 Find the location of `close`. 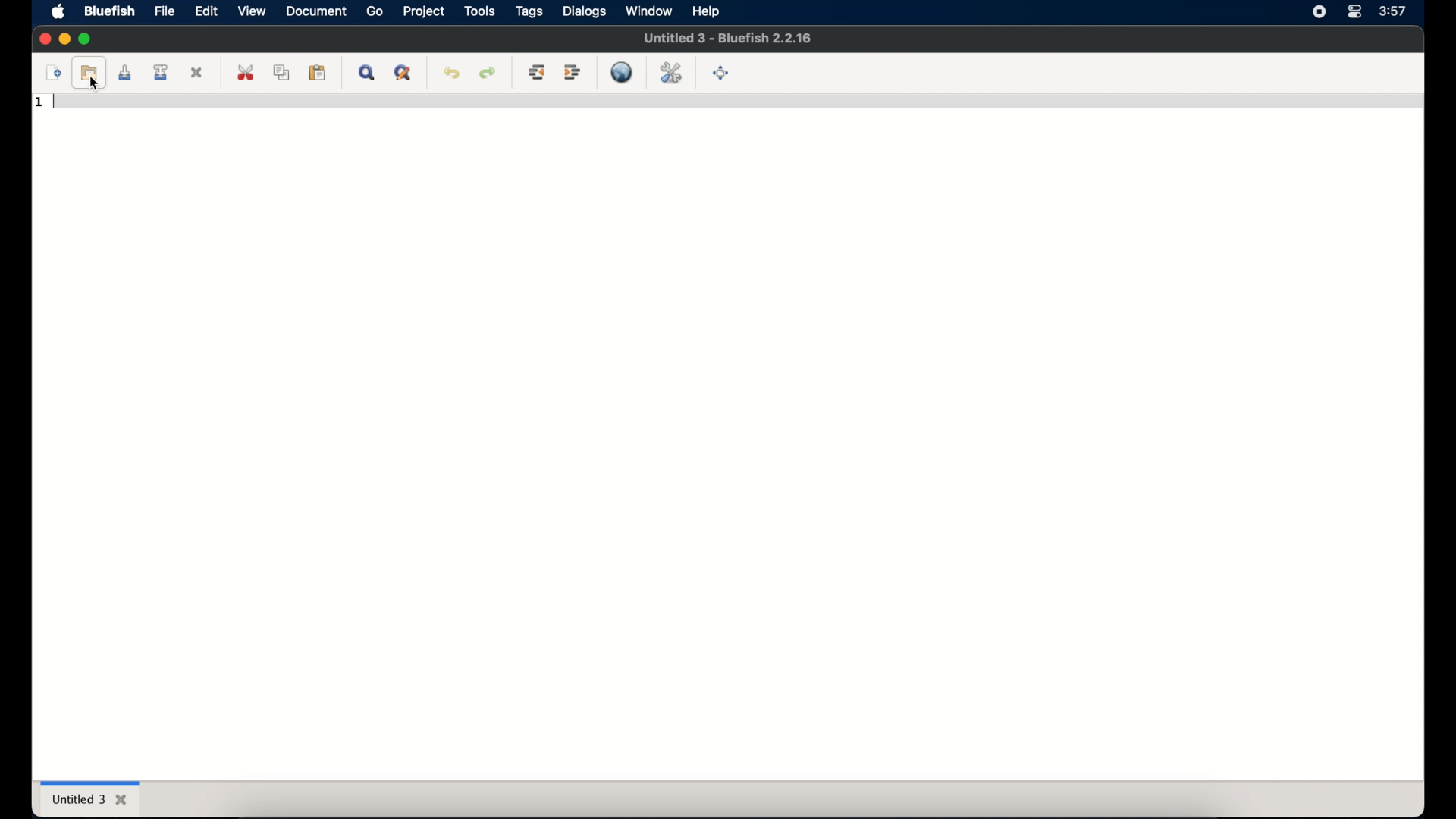

close is located at coordinates (199, 72).